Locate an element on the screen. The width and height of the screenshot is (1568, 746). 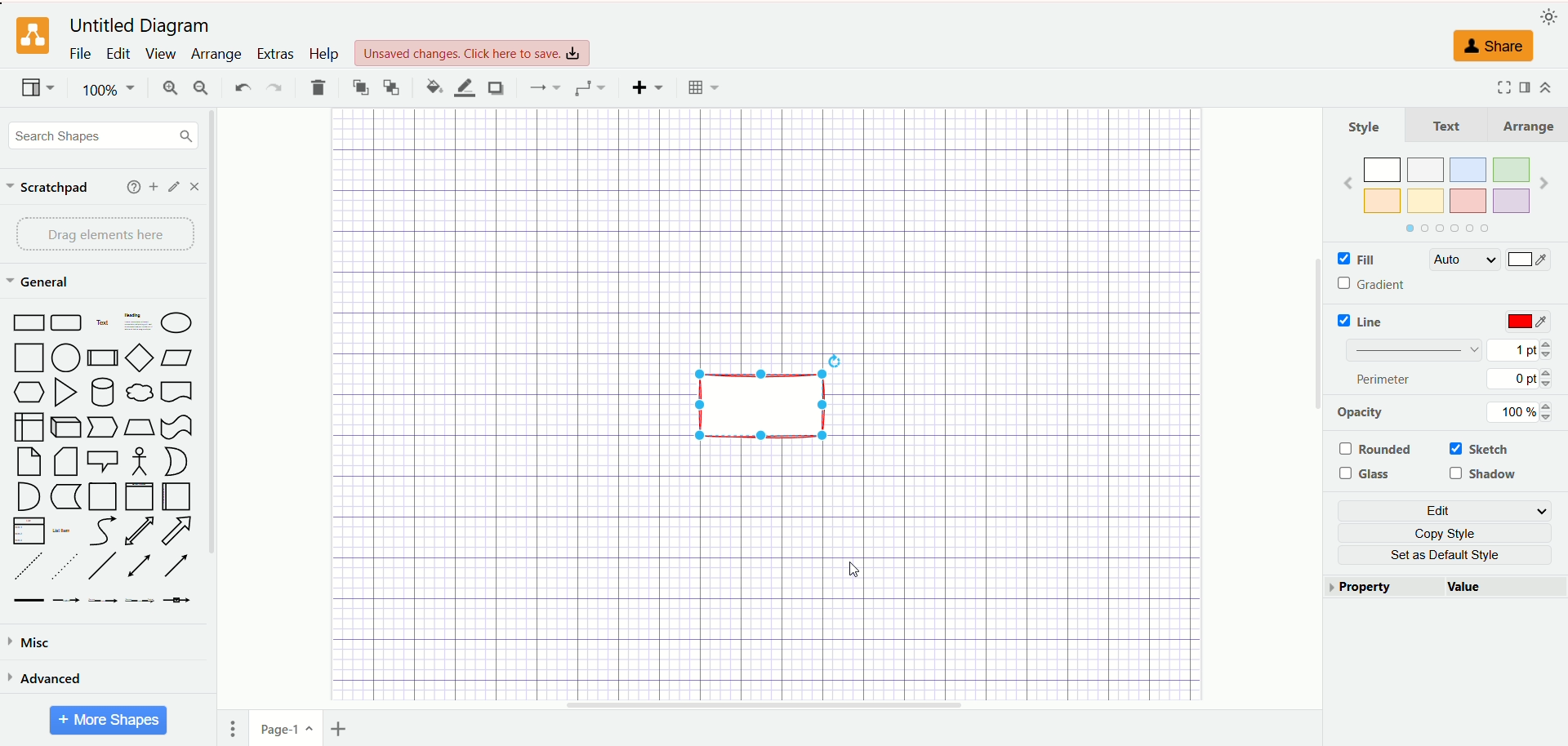
close is located at coordinates (198, 187).